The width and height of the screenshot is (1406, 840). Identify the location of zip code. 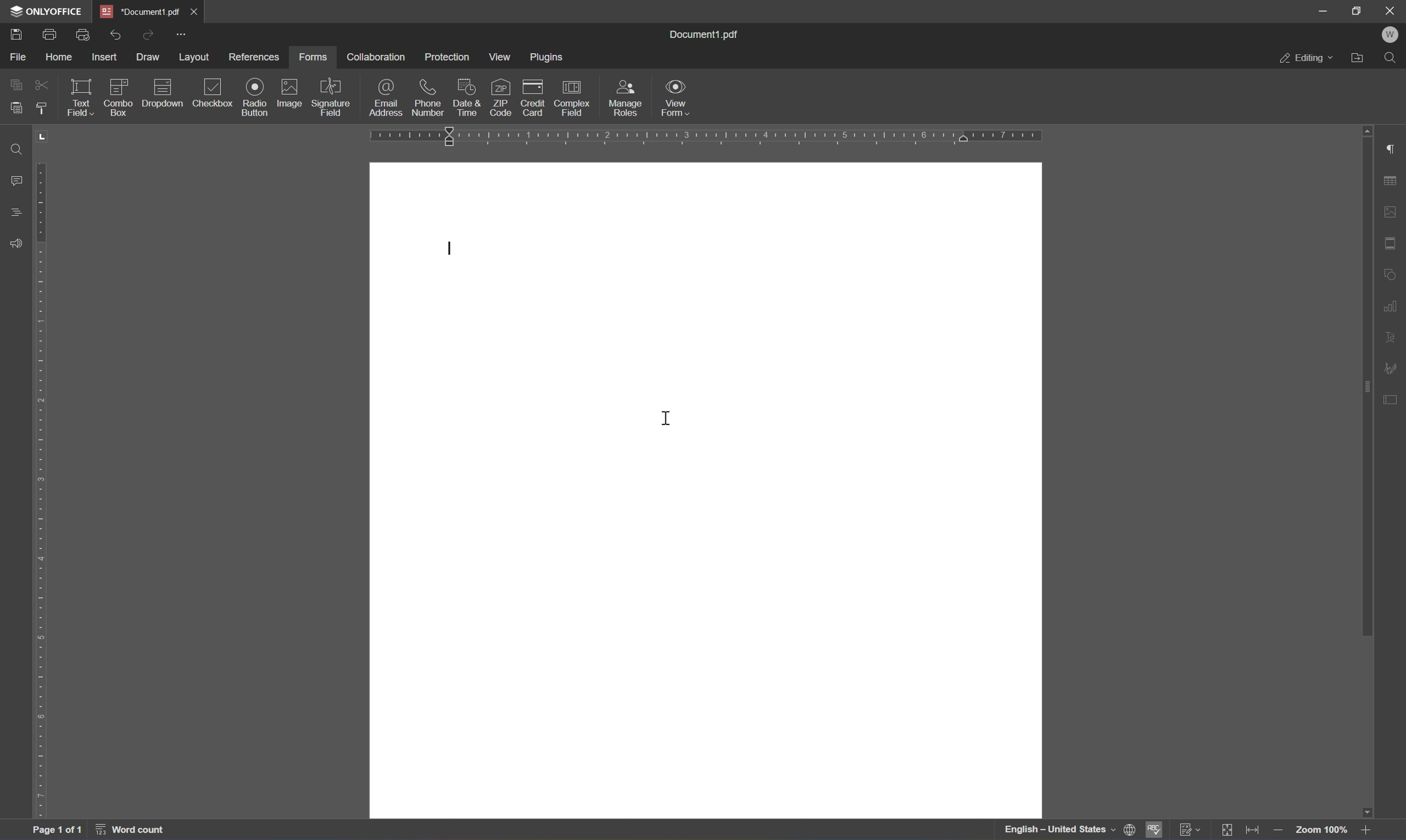
(502, 97).